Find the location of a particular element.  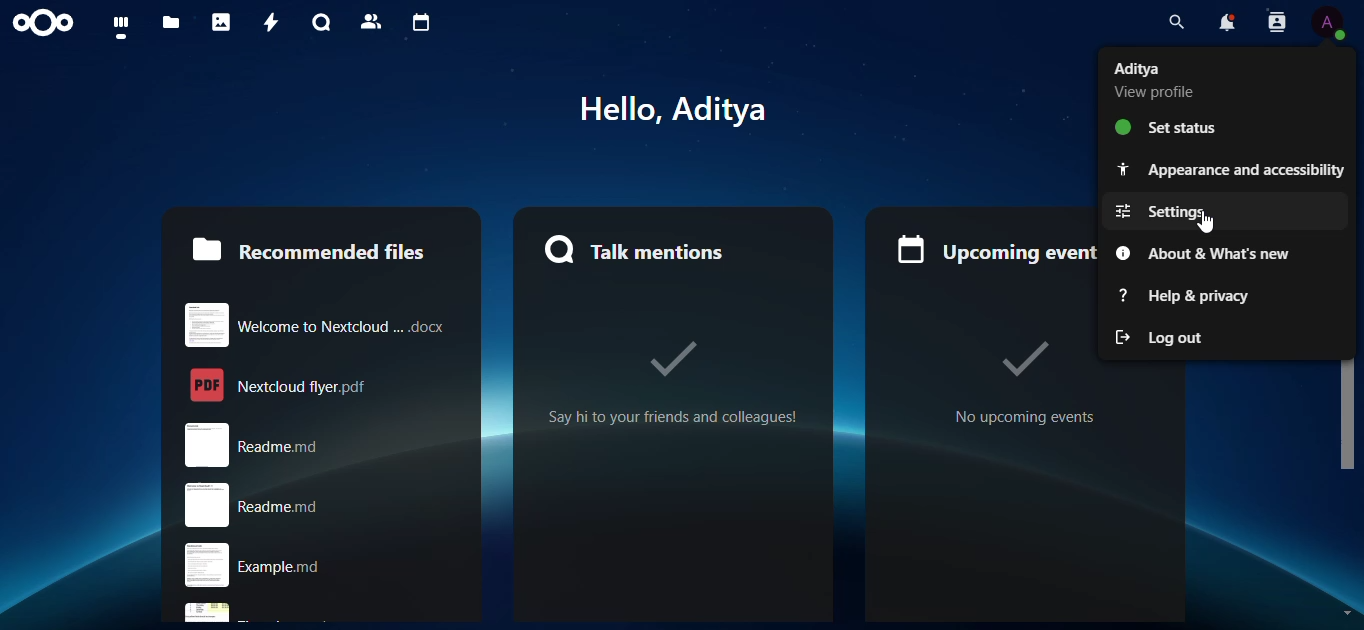

log out is located at coordinates (1166, 337).